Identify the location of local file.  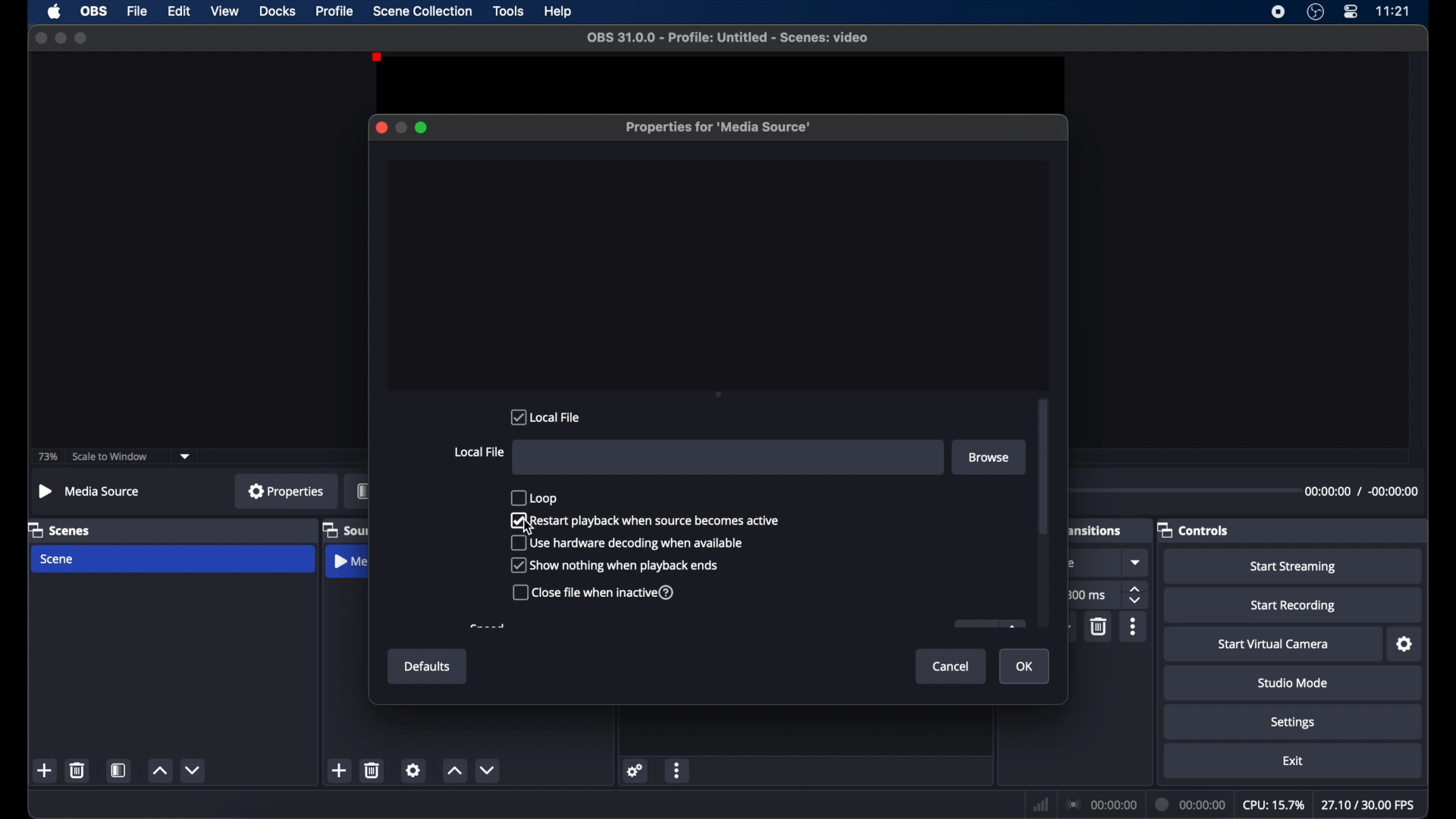
(479, 452).